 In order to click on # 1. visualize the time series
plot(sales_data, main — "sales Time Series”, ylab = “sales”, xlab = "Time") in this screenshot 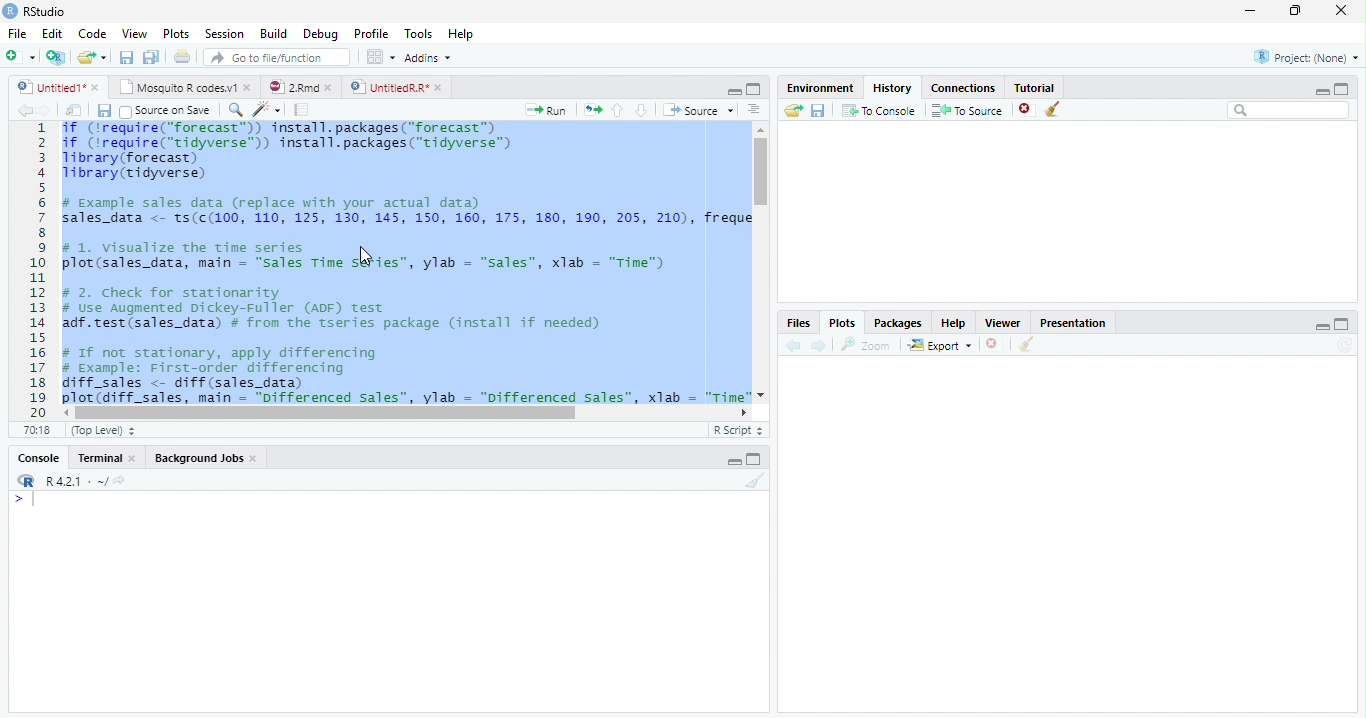, I will do `click(363, 255)`.